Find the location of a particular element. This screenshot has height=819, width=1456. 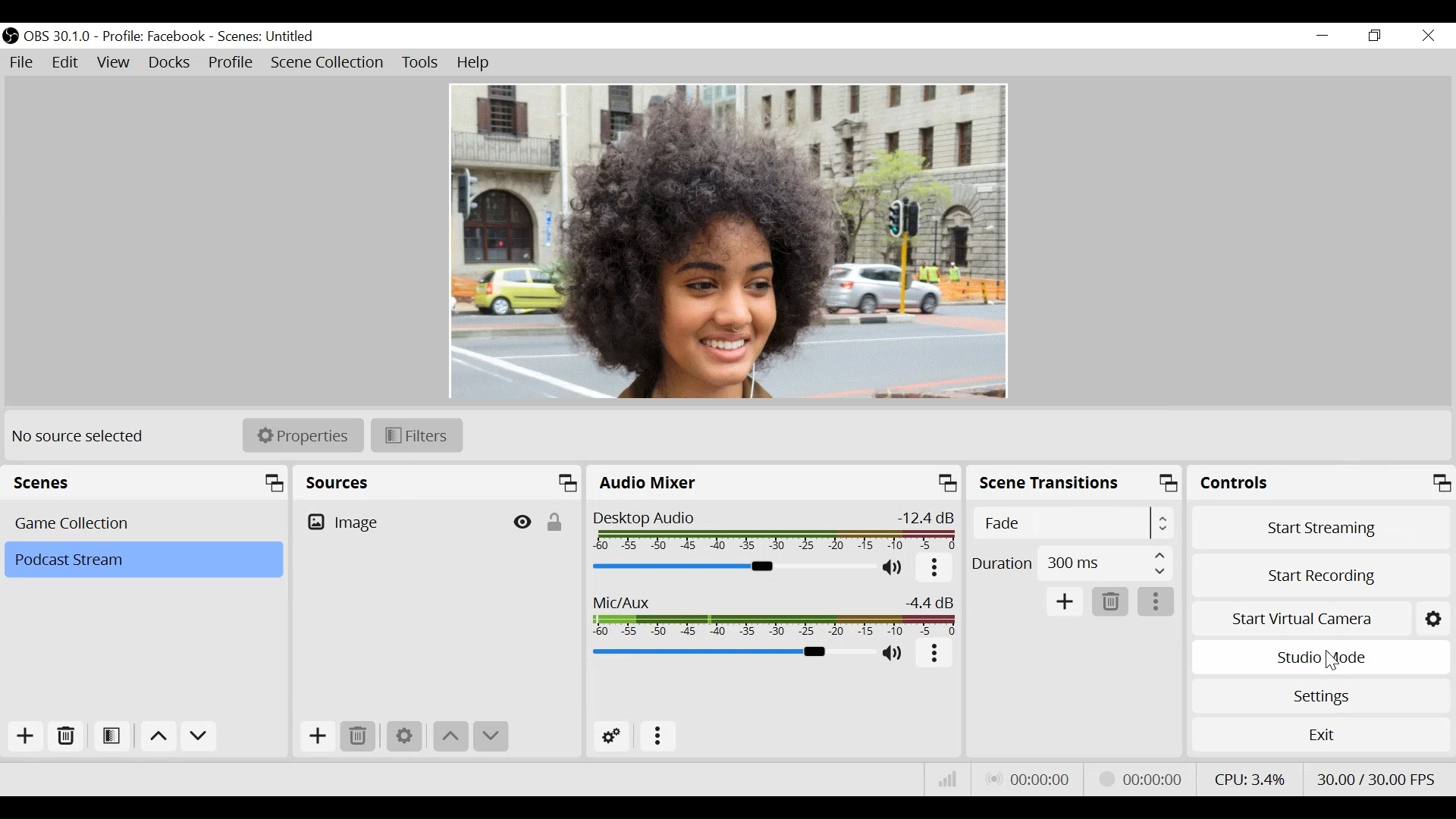

Stream Status is located at coordinates (1138, 779).